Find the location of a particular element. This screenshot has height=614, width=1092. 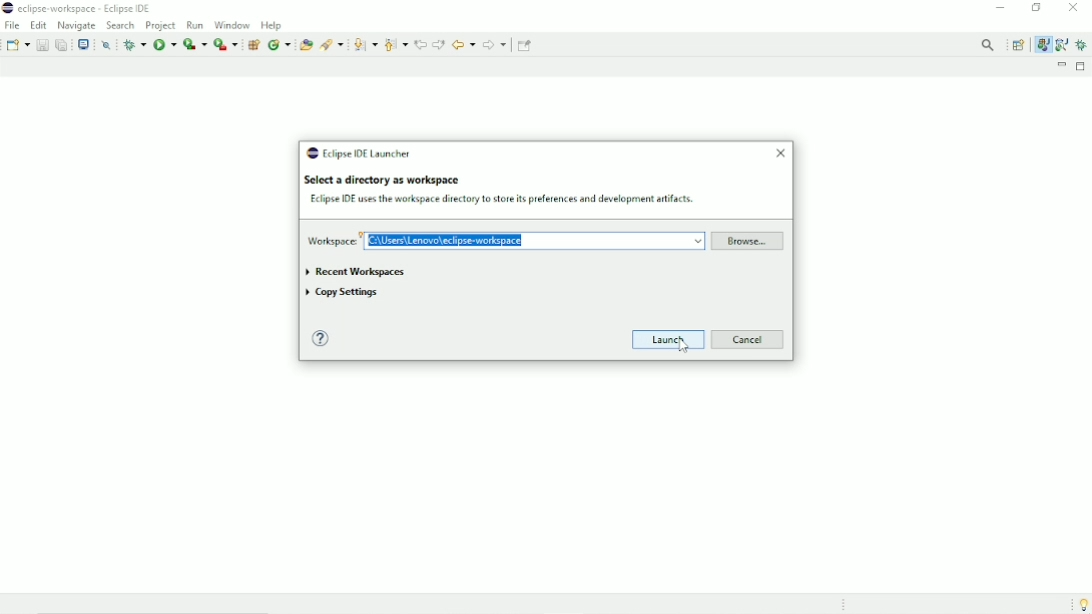

Open perspective is located at coordinates (1020, 44).